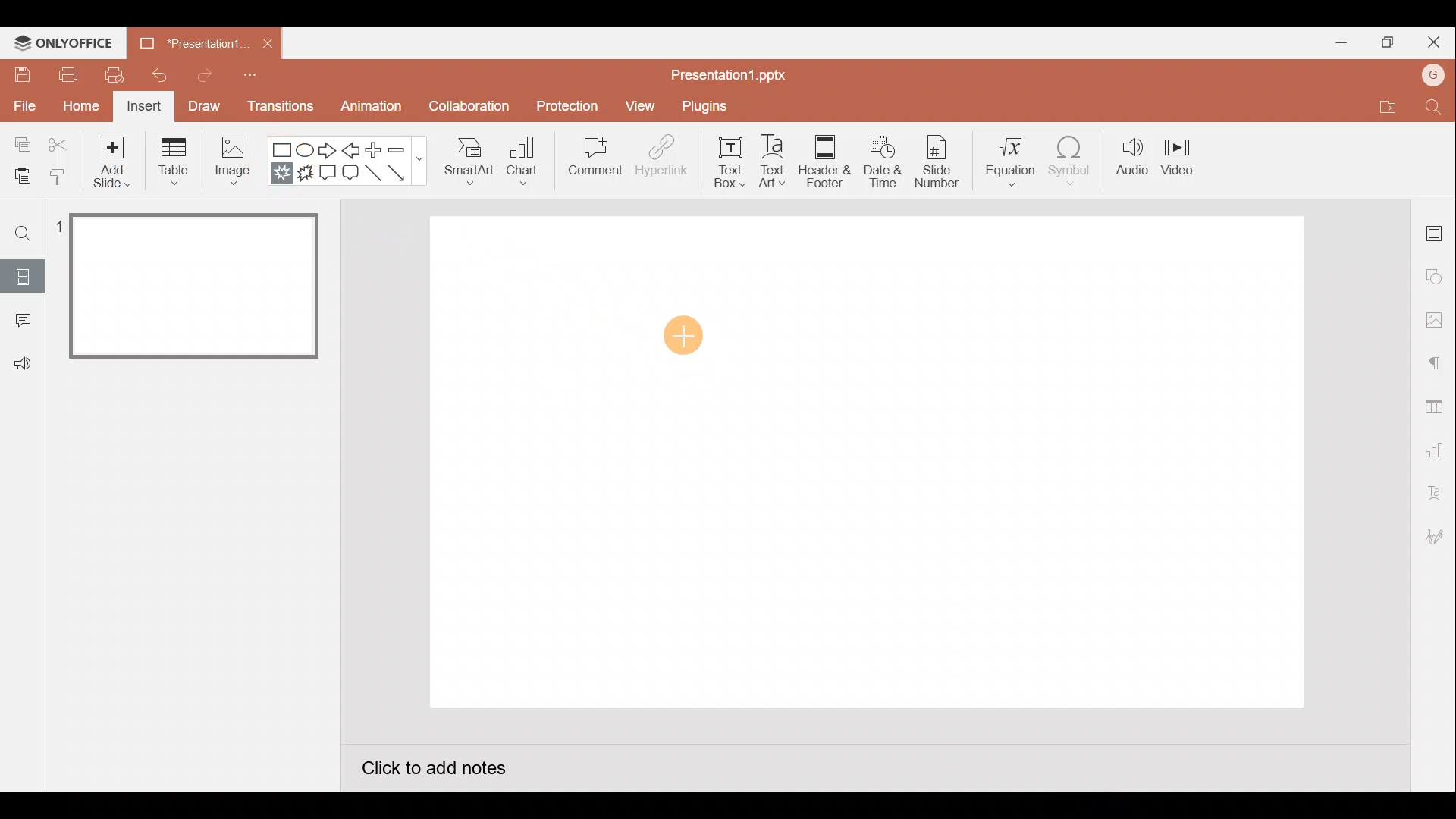  Describe the element at coordinates (24, 274) in the screenshot. I see `Slides` at that location.